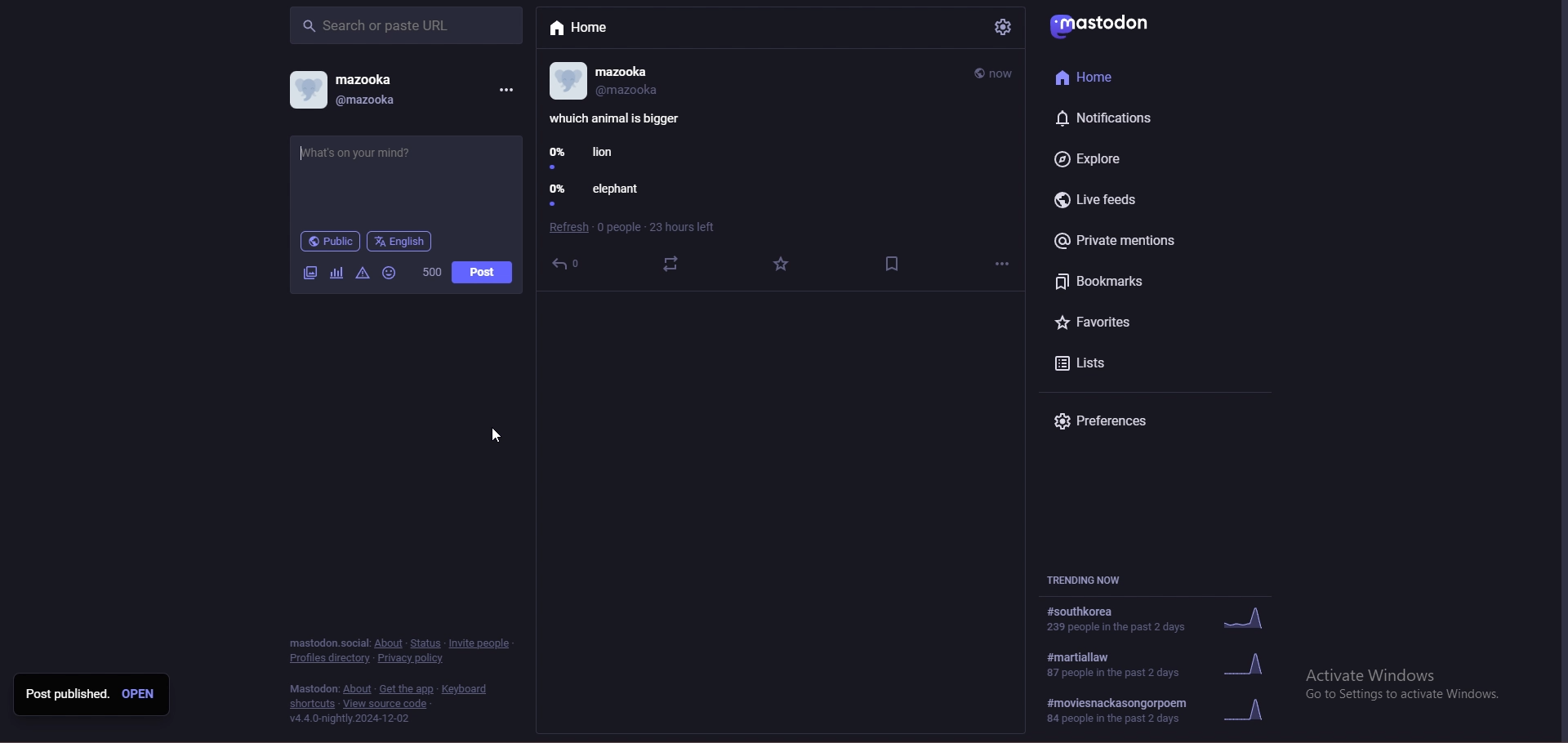 This screenshot has width=1568, height=743. Describe the element at coordinates (626, 71) in the screenshot. I see `mazooka` at that location.